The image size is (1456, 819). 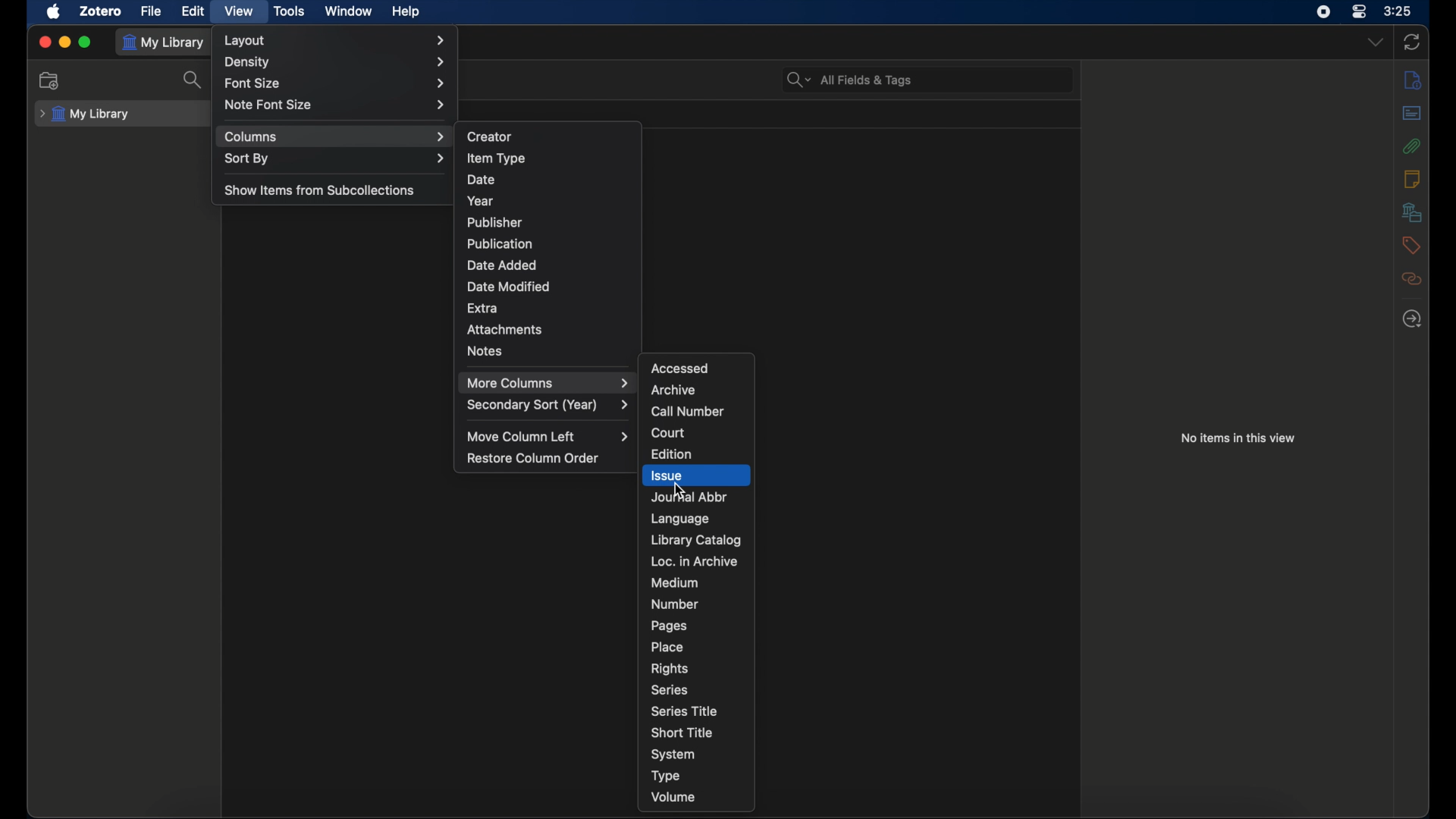 What do you see at coordinates (688, 412) in the screenshot?
I see `call number` at bounding box center [688, 412].